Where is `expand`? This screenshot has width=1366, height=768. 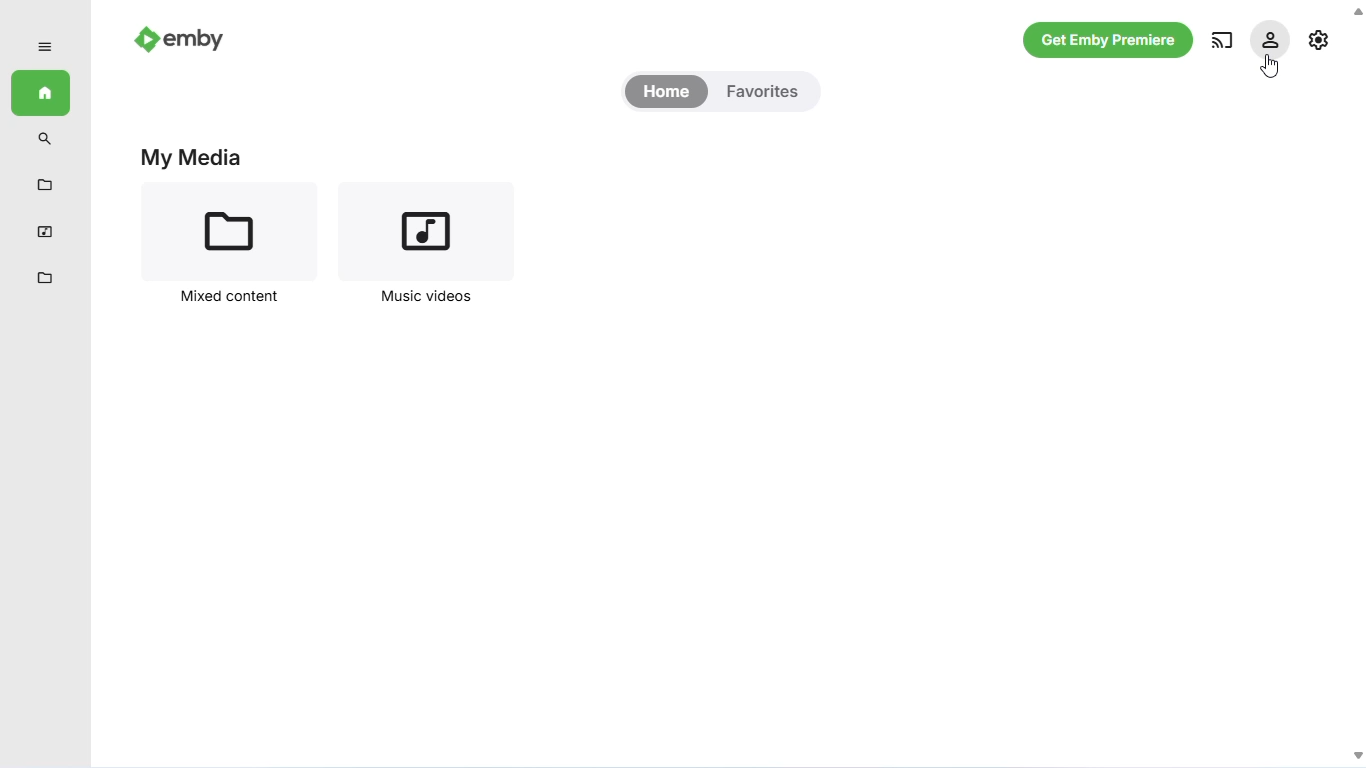 expand is located at coordinates (44, 47).